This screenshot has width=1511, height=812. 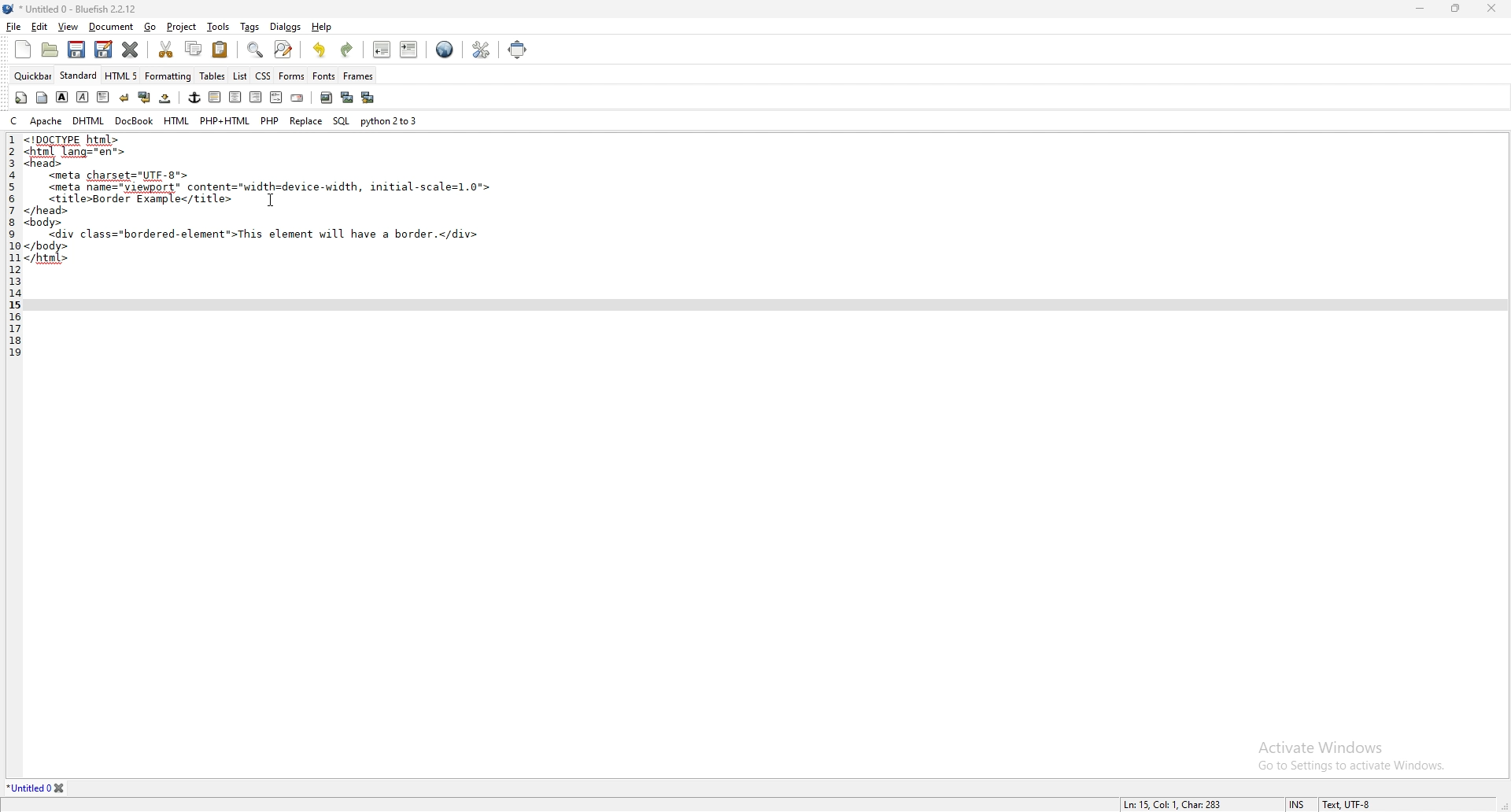 What do you see at coordinates (390, 120) in the screenshot?
I see `python 2 to 3` at bounding box center [390, 120].